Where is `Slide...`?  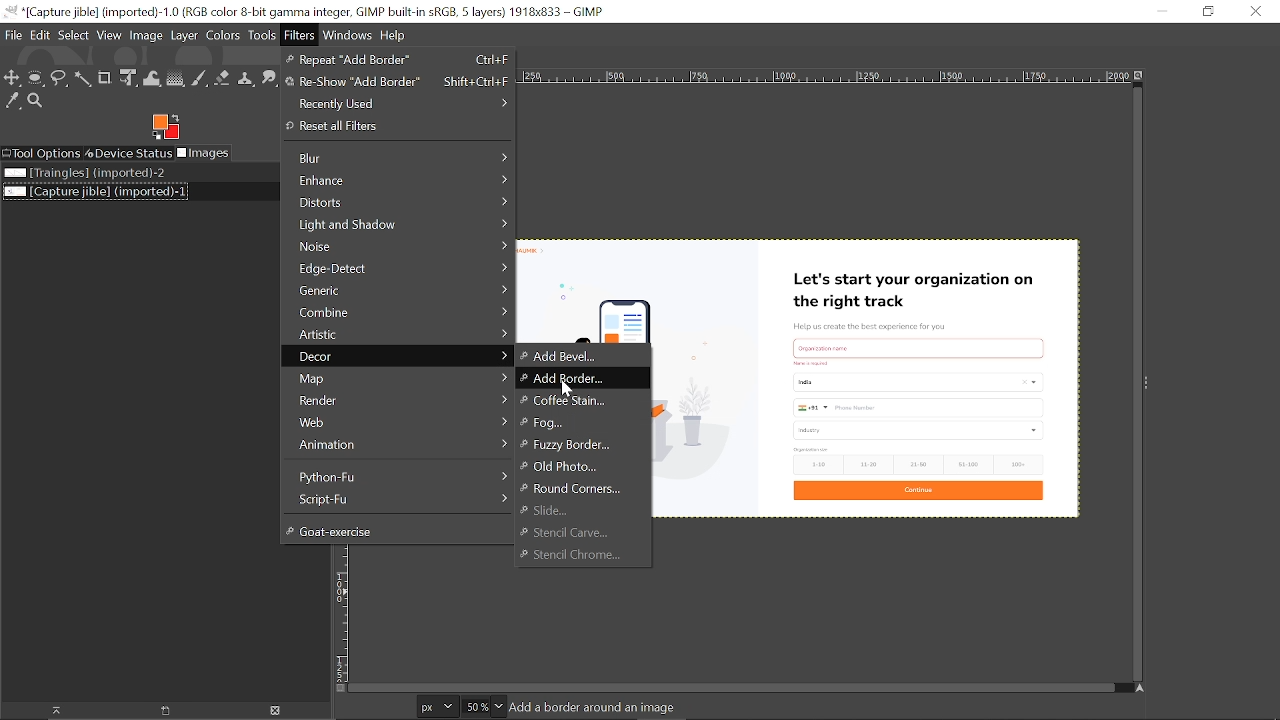 Slide... is located at coordinates (547, 510).